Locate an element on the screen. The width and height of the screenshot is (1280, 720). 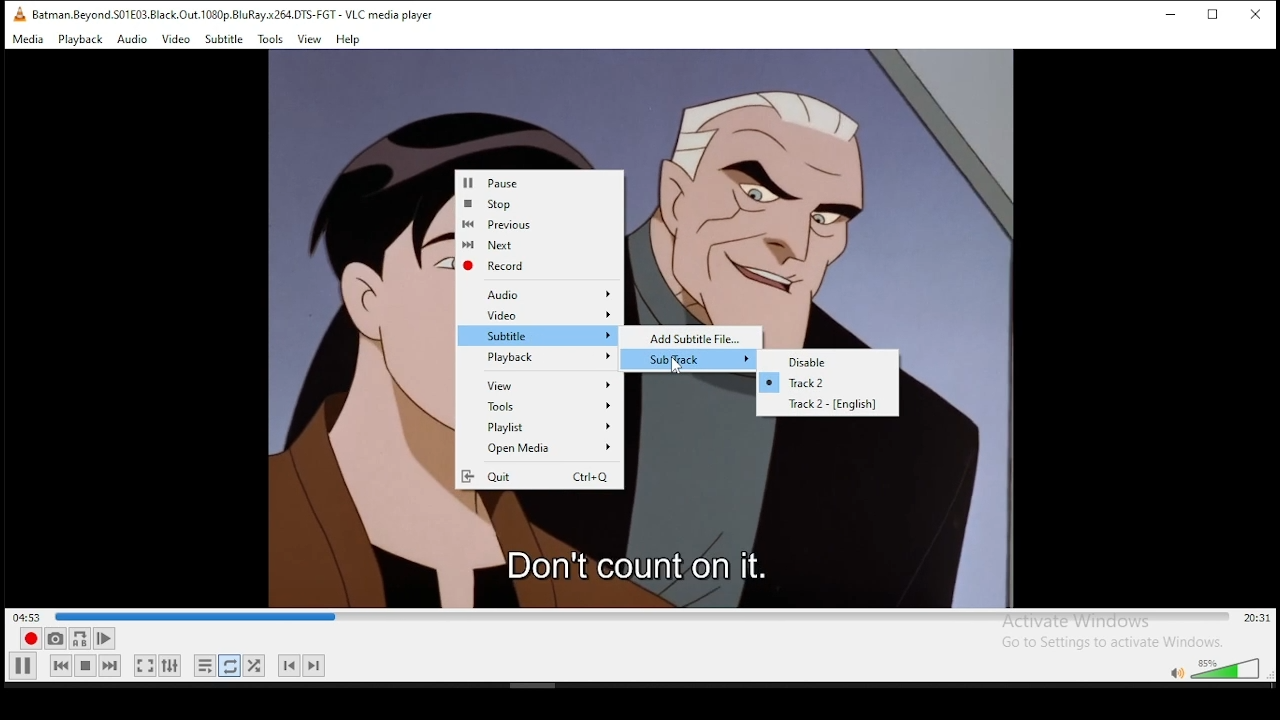
settings is located at coordinates (175, 665).